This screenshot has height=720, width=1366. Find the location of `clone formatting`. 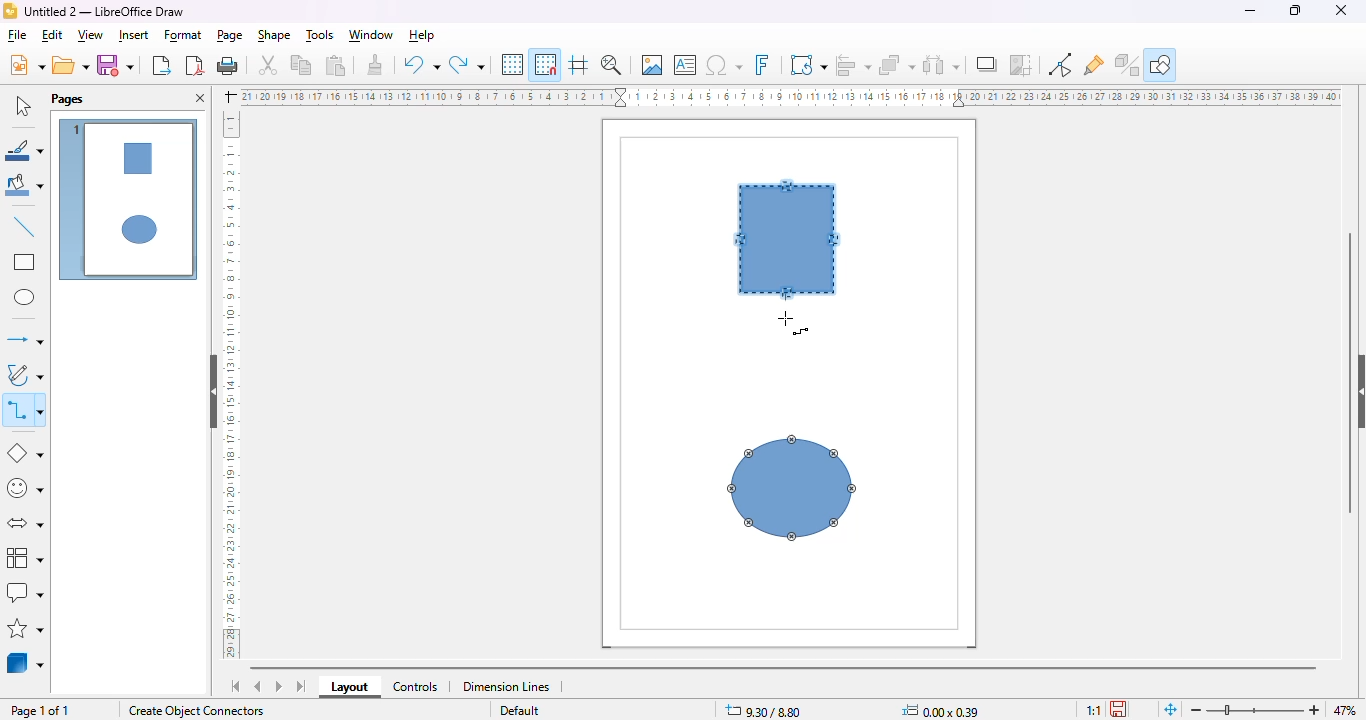

clone formatting is located at coordinates (375, 65).